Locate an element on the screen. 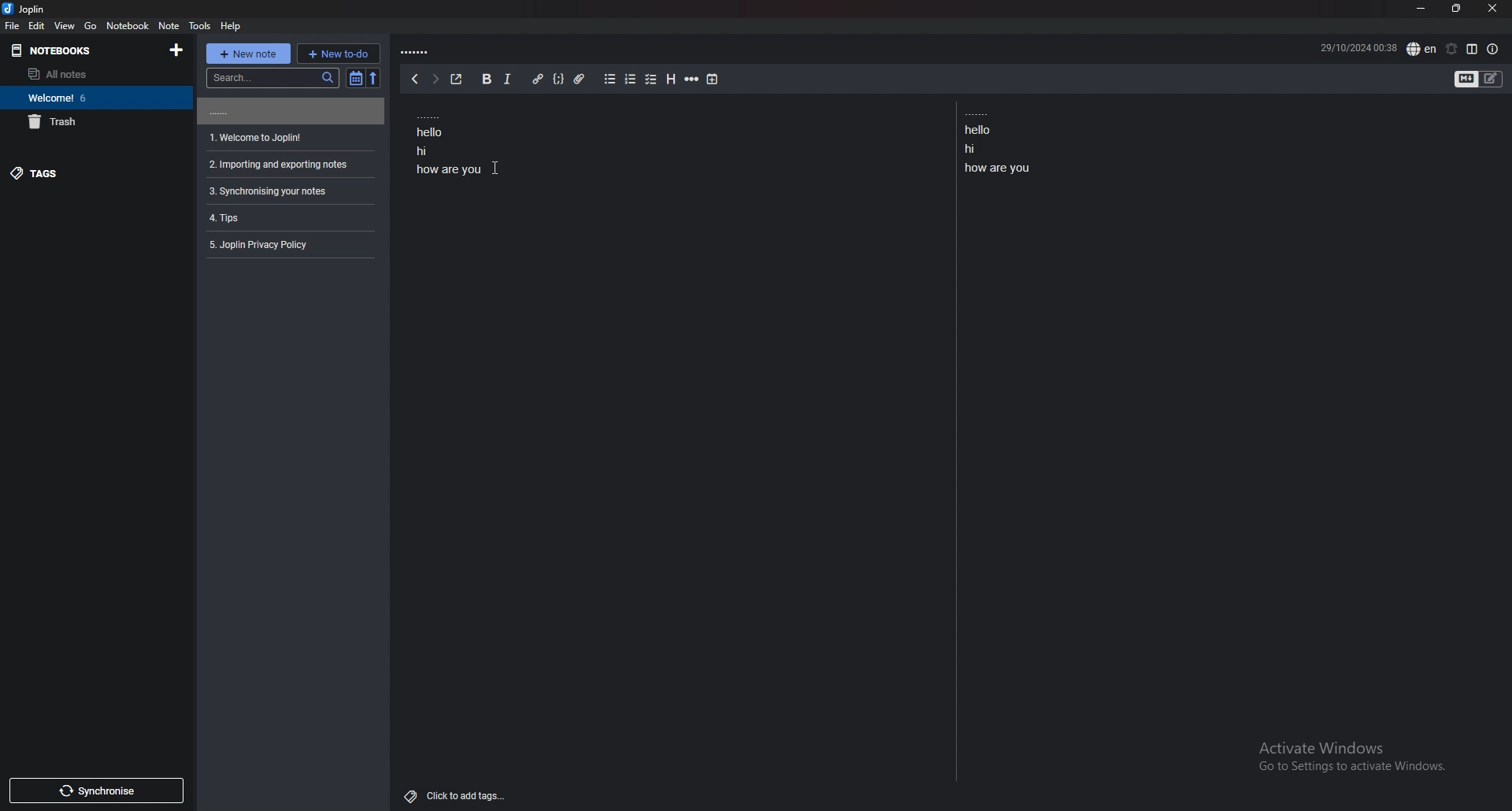  horizontal rule is located at coordinates (692, 78).